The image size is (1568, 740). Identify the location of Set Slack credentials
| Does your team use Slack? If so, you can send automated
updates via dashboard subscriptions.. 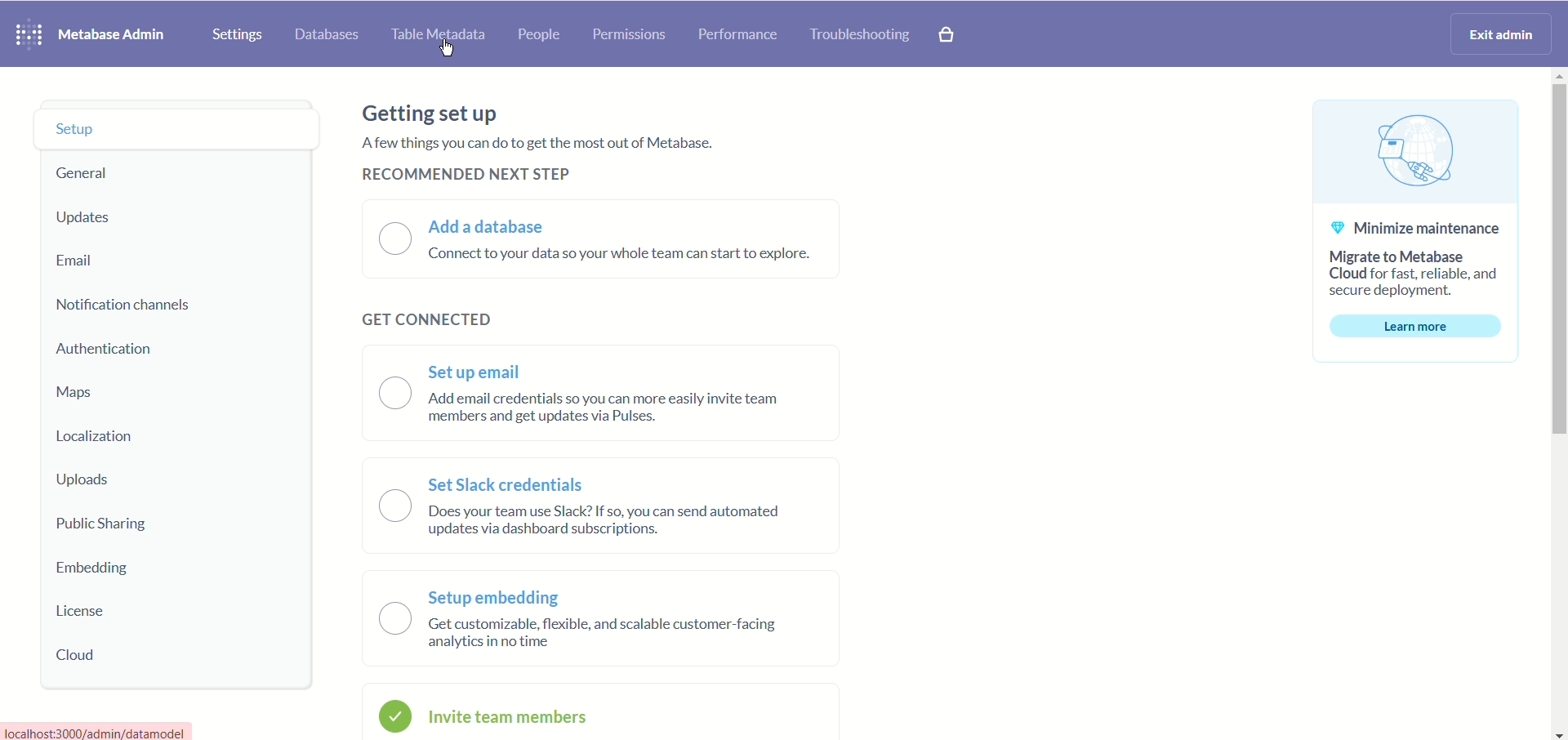
(605, 506).